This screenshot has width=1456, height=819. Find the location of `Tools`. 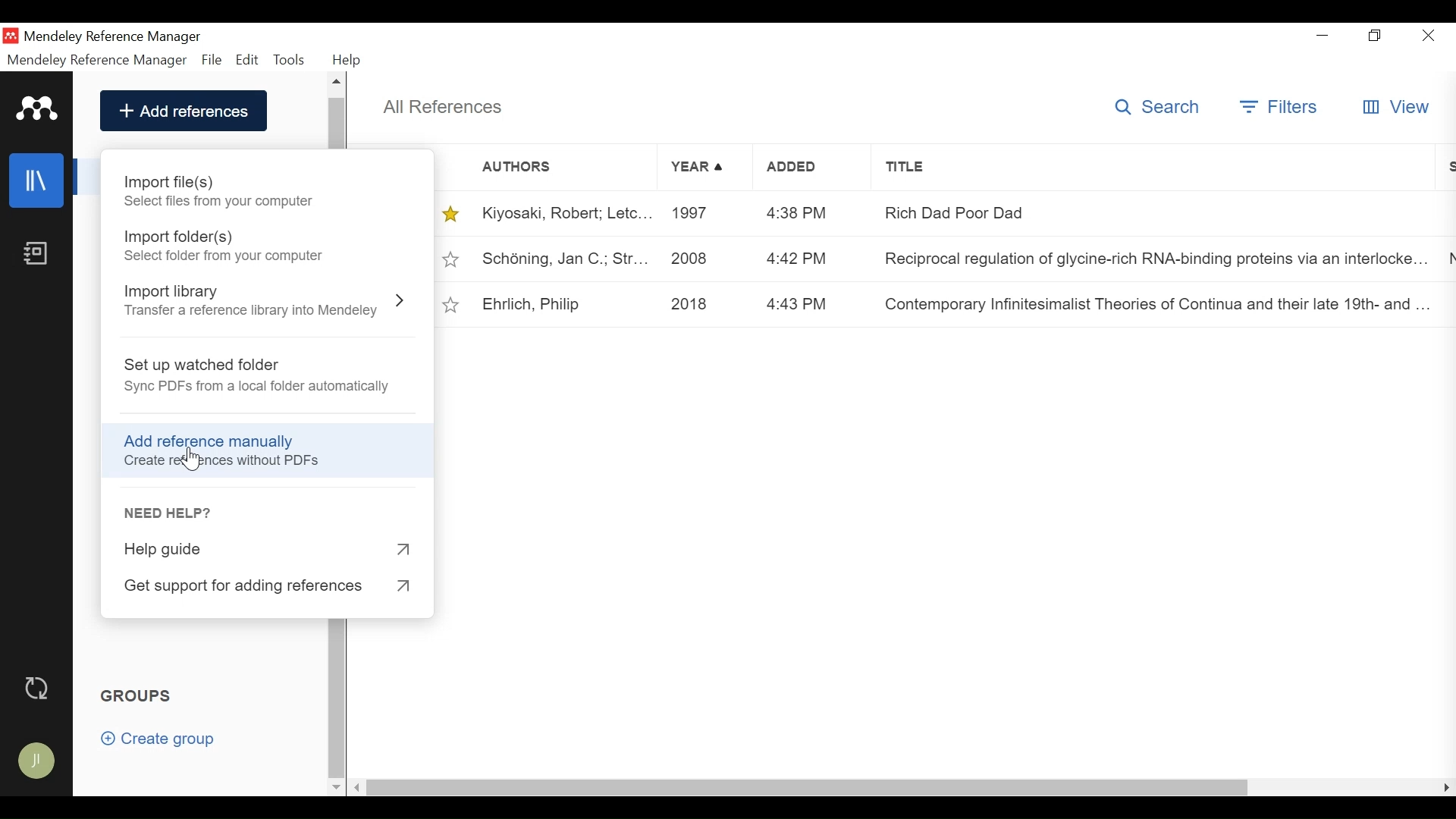

Tools is located at coordinates (290, 58).